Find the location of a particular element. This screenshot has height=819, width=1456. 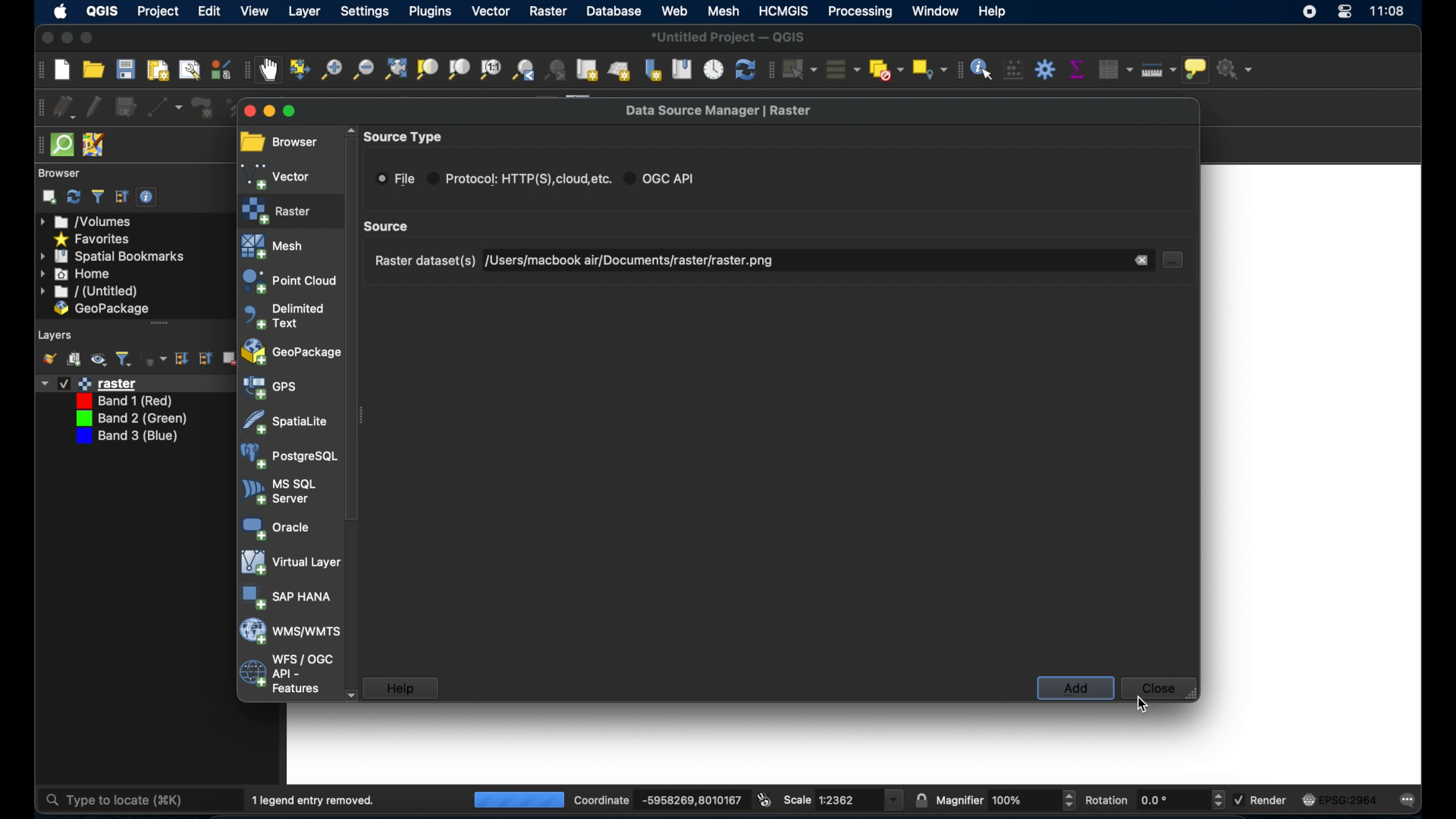

edit is located at coordinates (211, 12).